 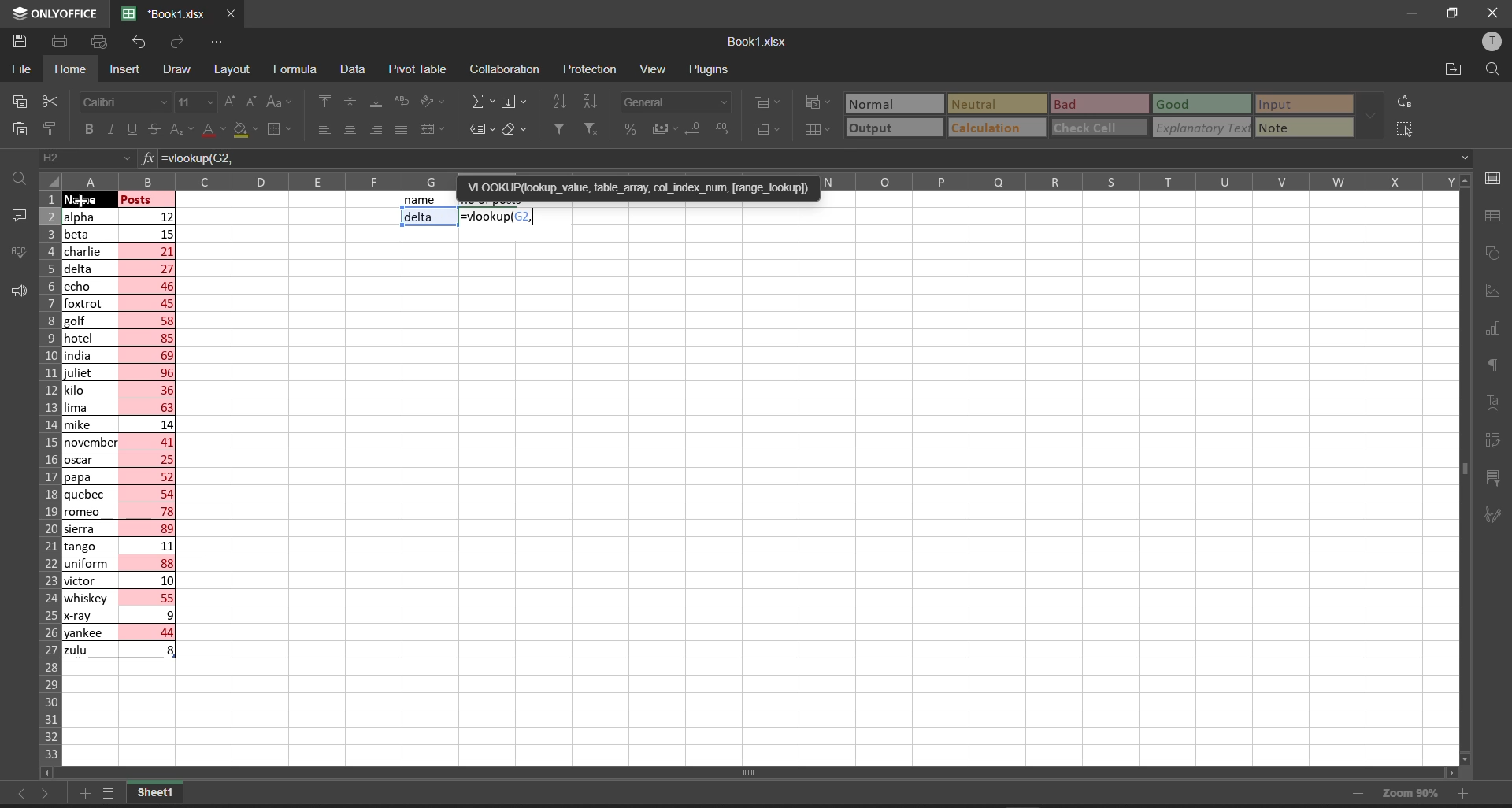 I want to click on select all, so click(x=50, y=180).